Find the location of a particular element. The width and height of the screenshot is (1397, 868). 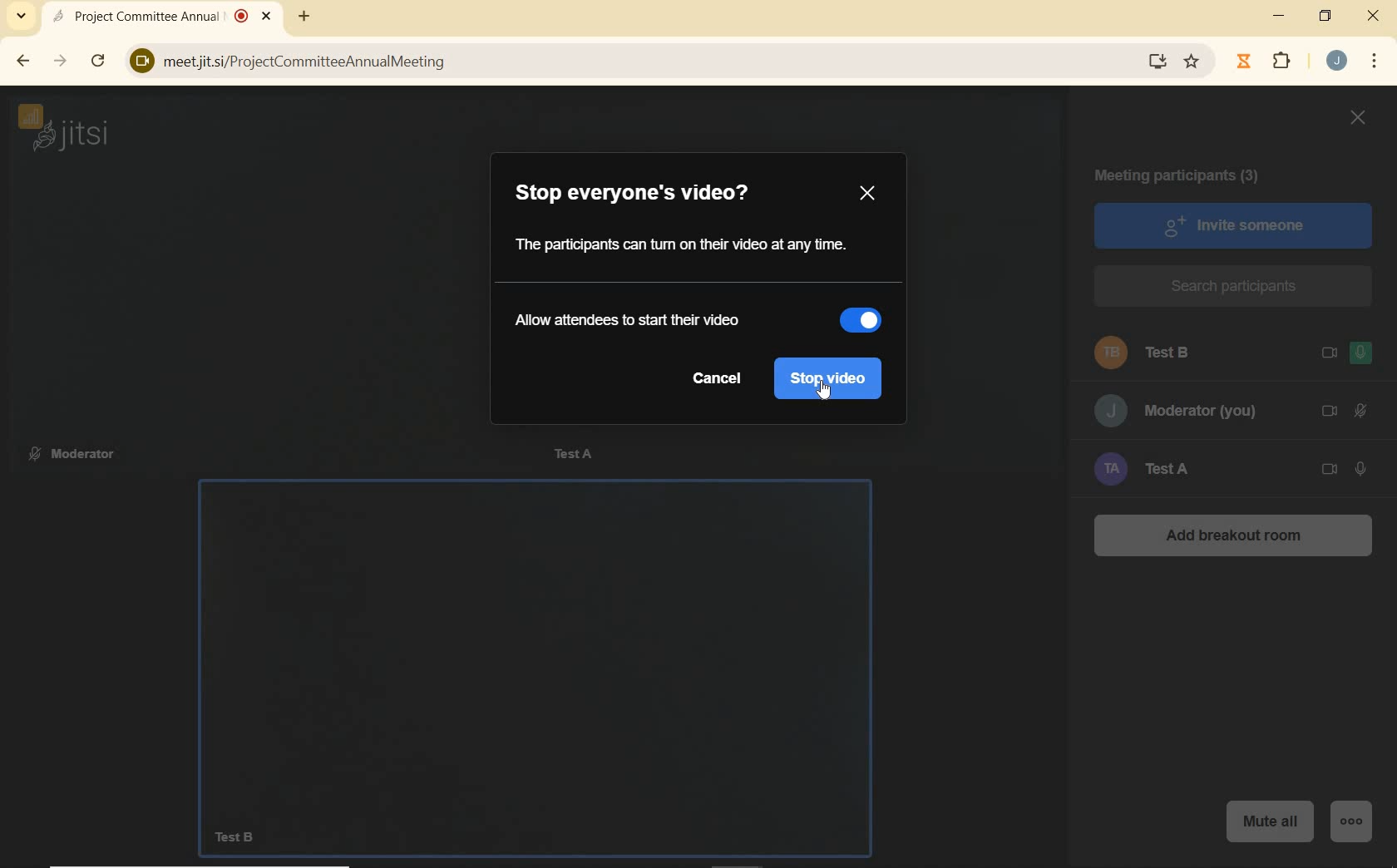

MUTE ALL is located at coordinates (1266, 824).